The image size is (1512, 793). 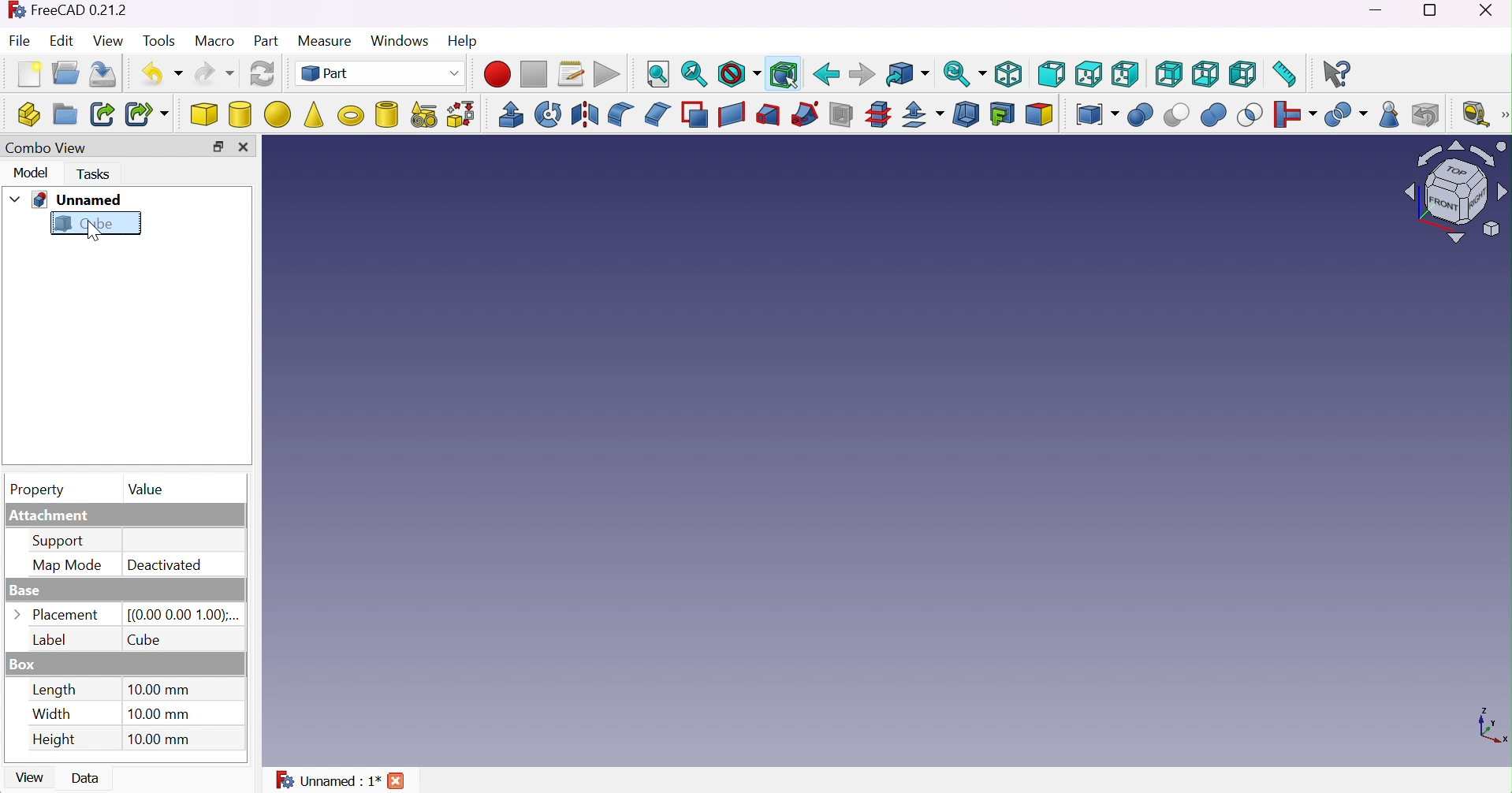 What do you see at coordinates (620, 116) in the screenshot?
I see `Fillet` at bounding box center [620, 116].